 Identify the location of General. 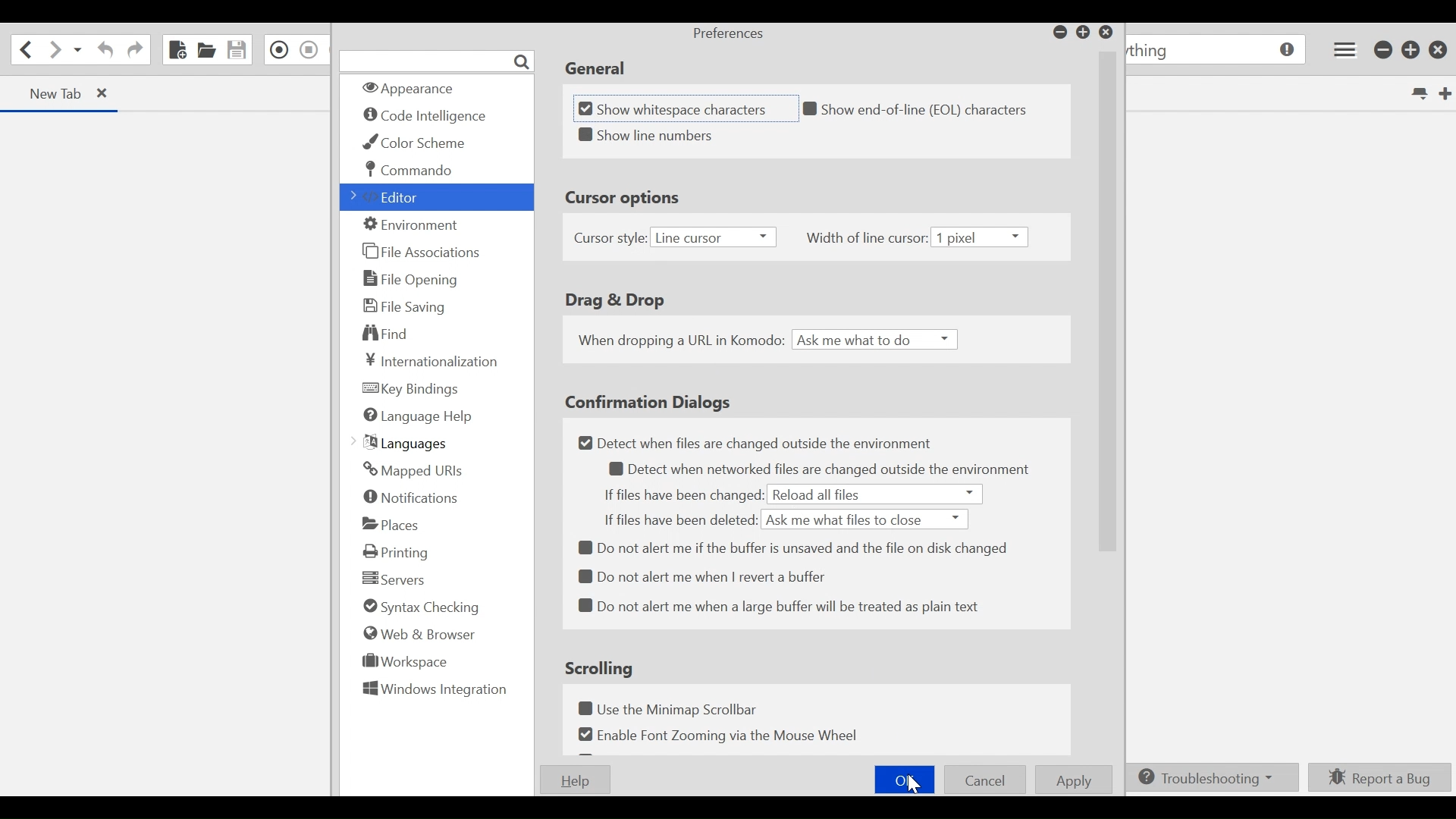
(595, 66).